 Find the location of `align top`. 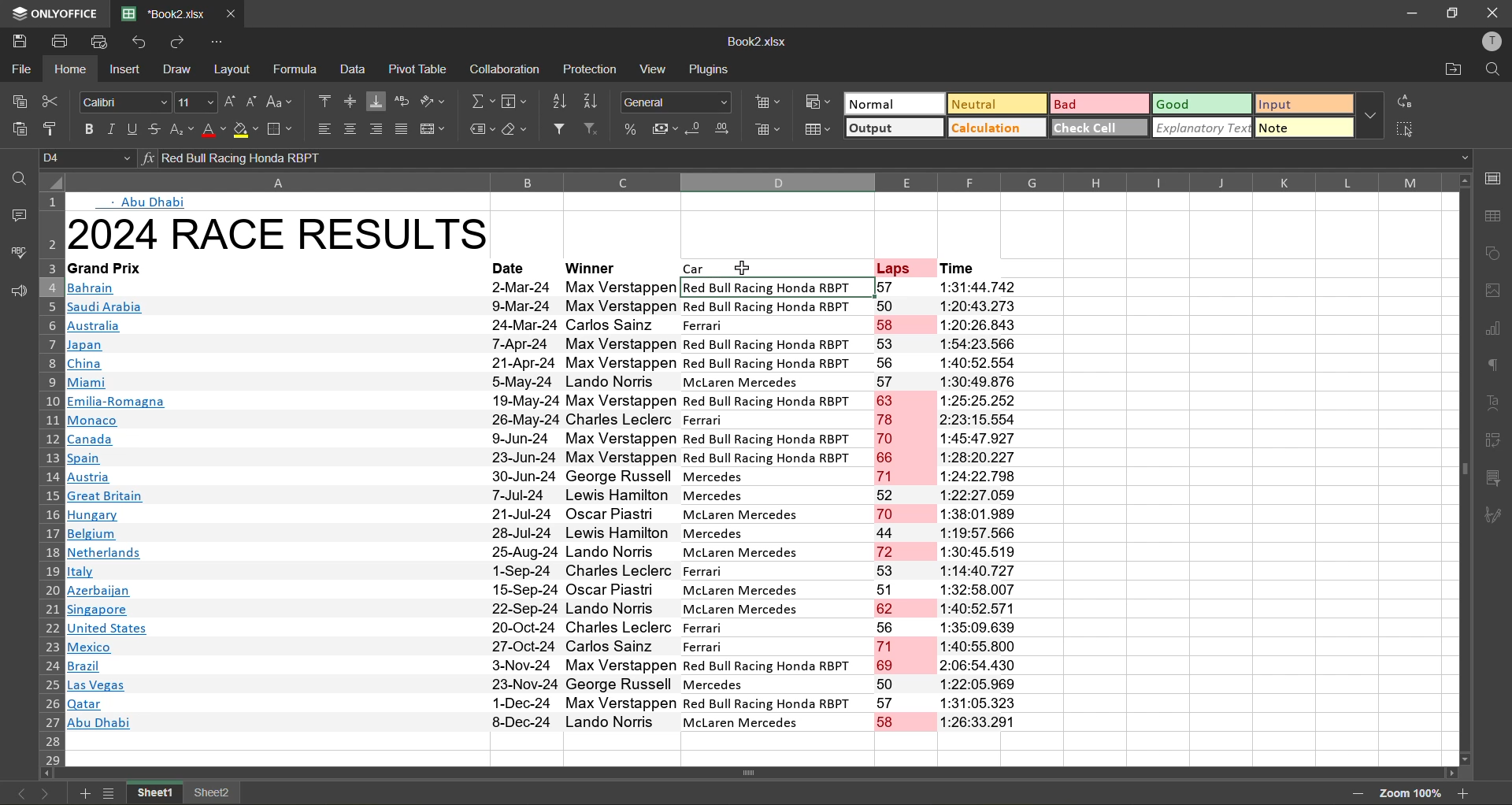

align top is located at coordinates (324, 101).